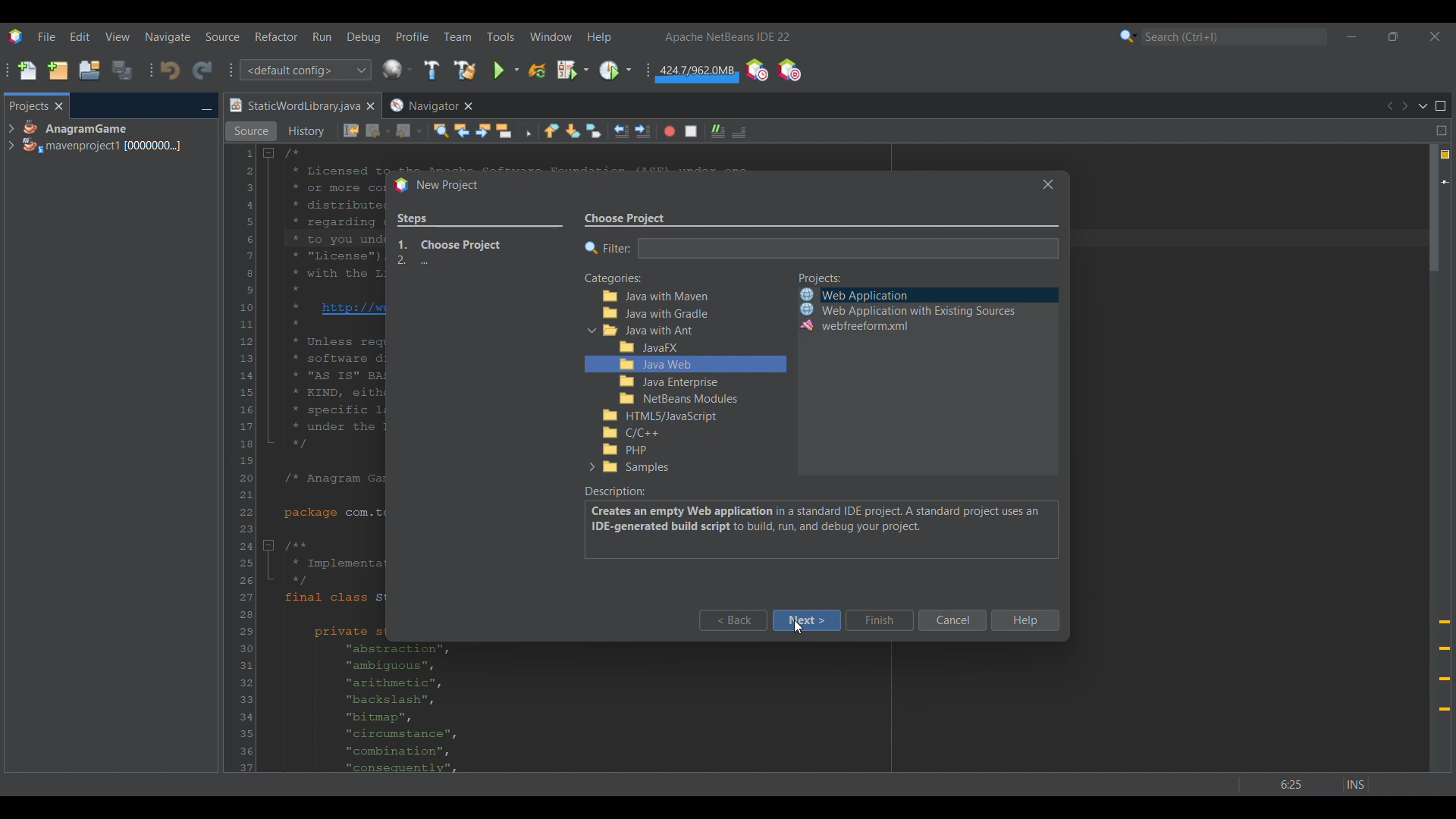 Image resolution: width=1456 pixels, height=819 pixels. I want to click on Finish, so click(880, 620).